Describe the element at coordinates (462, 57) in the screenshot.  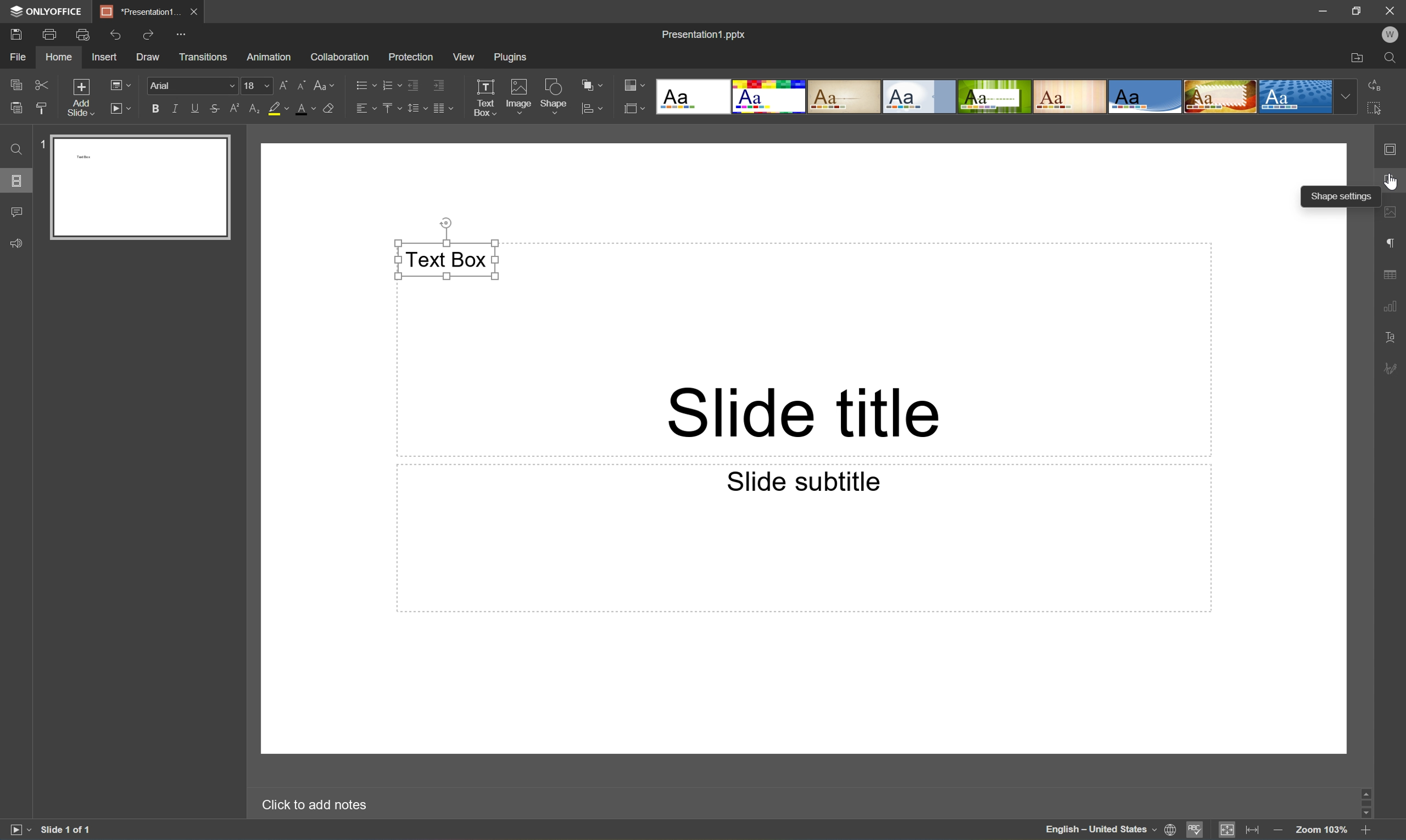
I see `View` at that location.